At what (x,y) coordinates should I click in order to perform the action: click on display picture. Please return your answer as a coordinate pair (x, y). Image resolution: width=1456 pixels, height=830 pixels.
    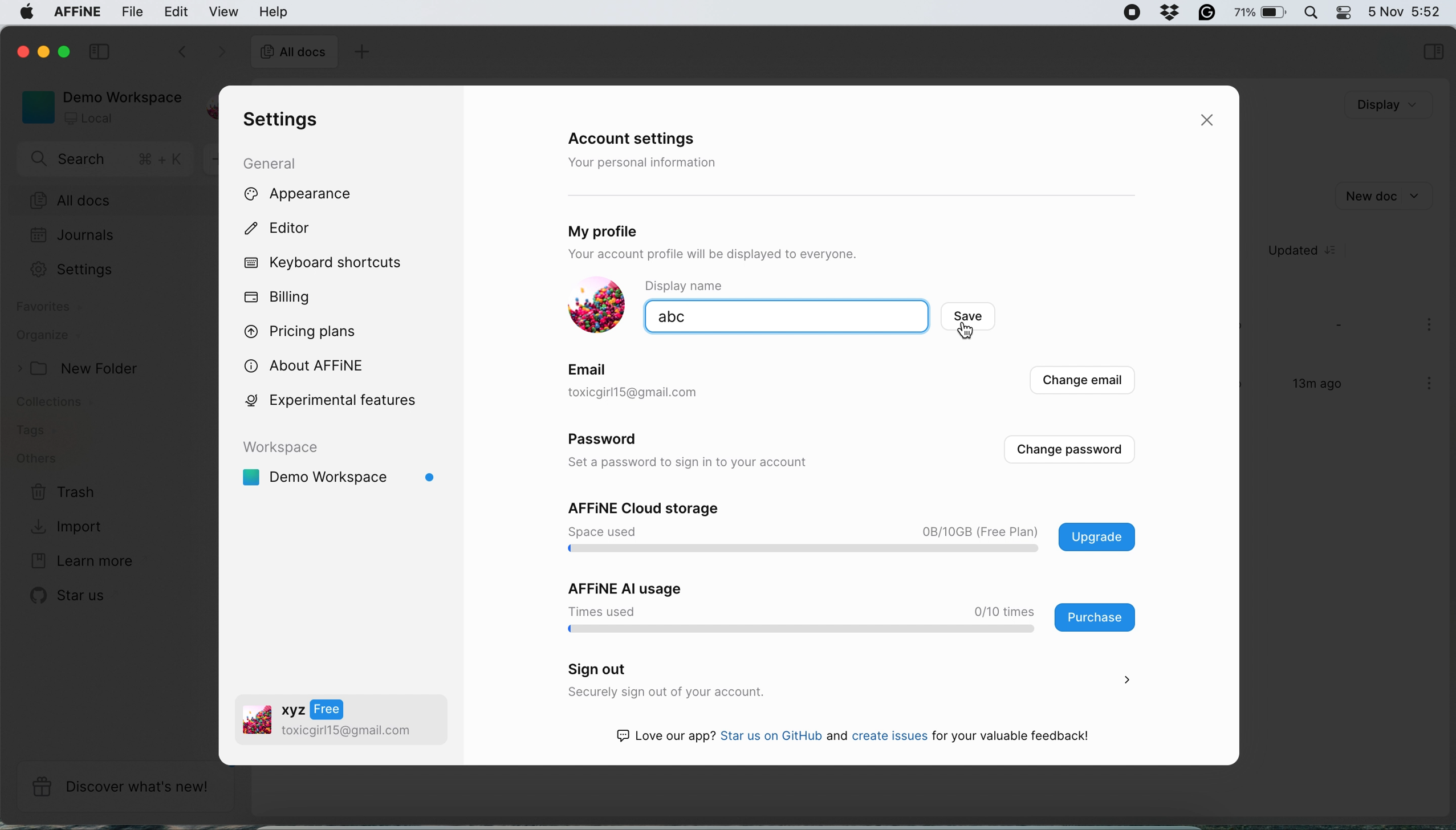
    Looking at the image, I should click on (591, 306).